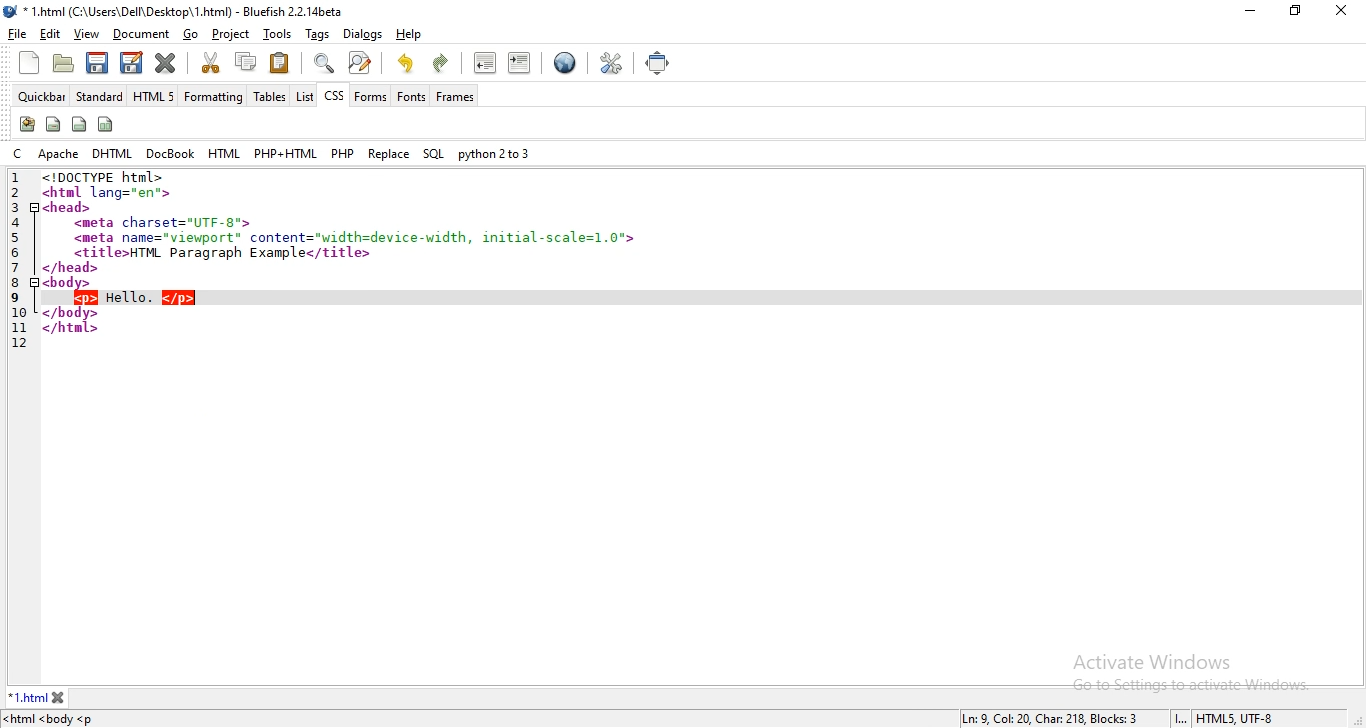  I want to click on dhtml, so click(111, 153).